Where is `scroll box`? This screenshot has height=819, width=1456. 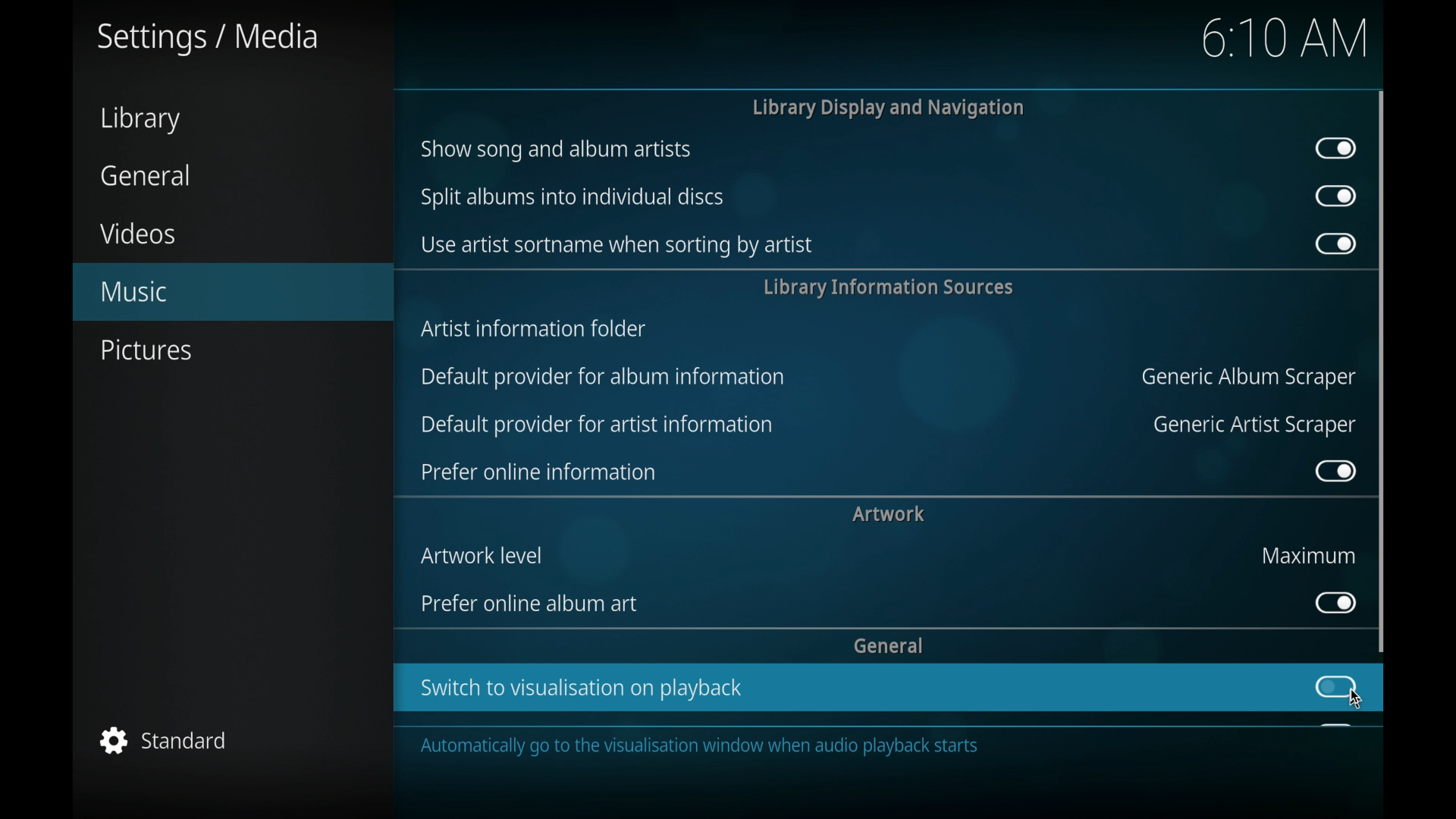
scroll box is located at coordinates (1382, 371).